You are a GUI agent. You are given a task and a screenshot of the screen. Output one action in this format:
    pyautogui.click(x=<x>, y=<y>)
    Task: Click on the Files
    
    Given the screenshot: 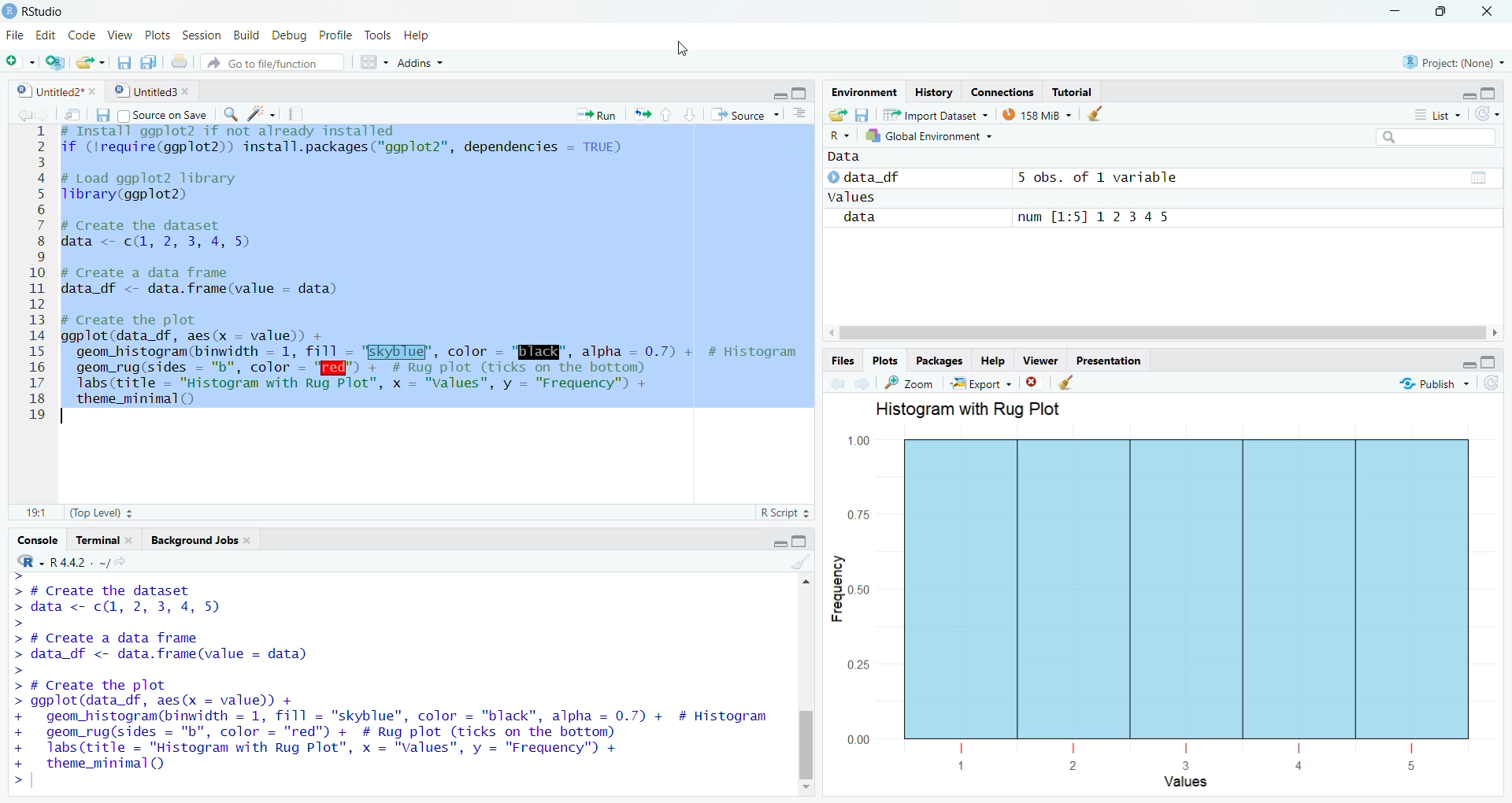 What is the action you would take?
    pyautogui.click(x=839, y=358)
    